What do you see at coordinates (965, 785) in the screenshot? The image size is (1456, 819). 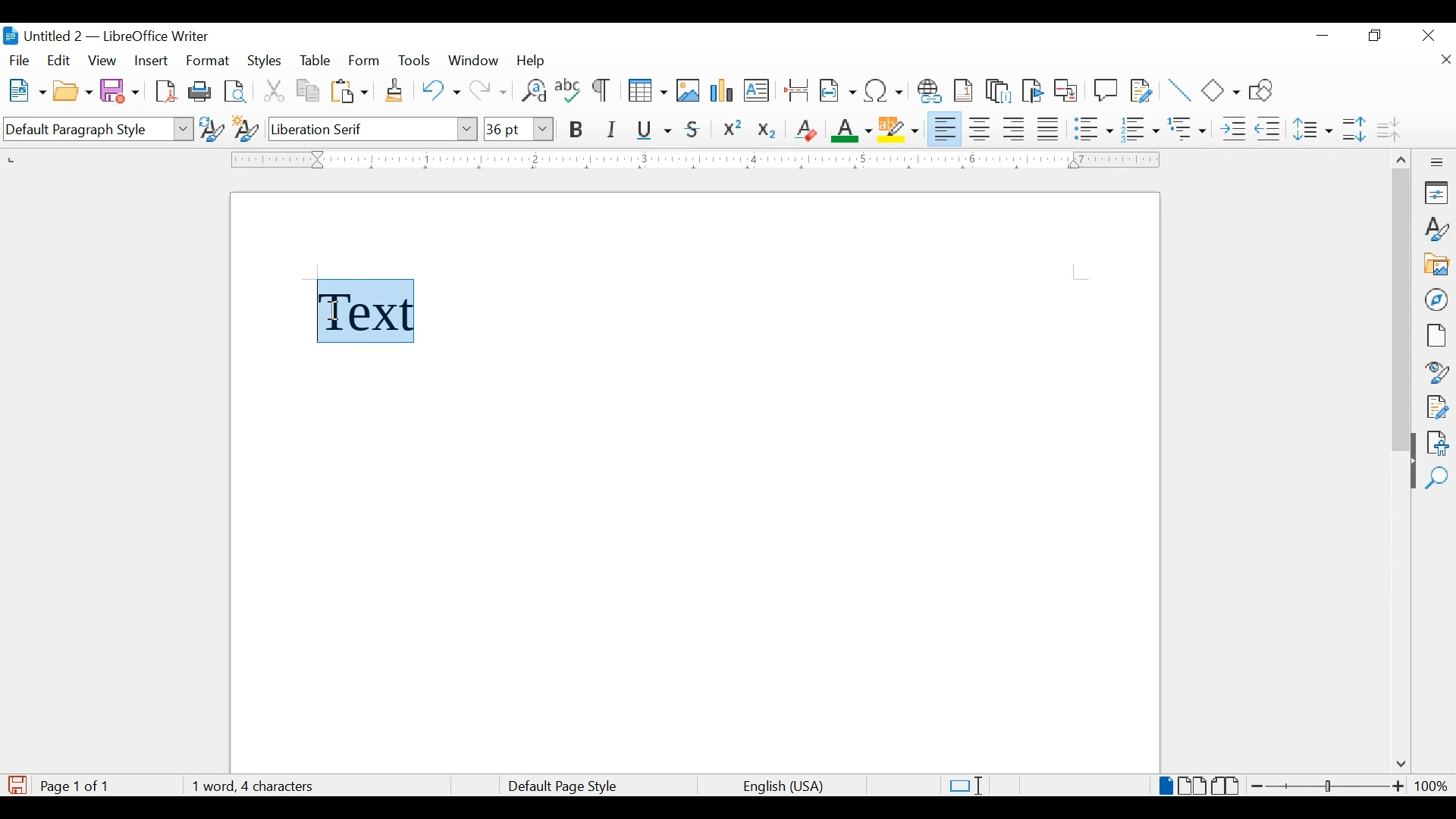 I see `standard selections` at bounding box center [965, 785].